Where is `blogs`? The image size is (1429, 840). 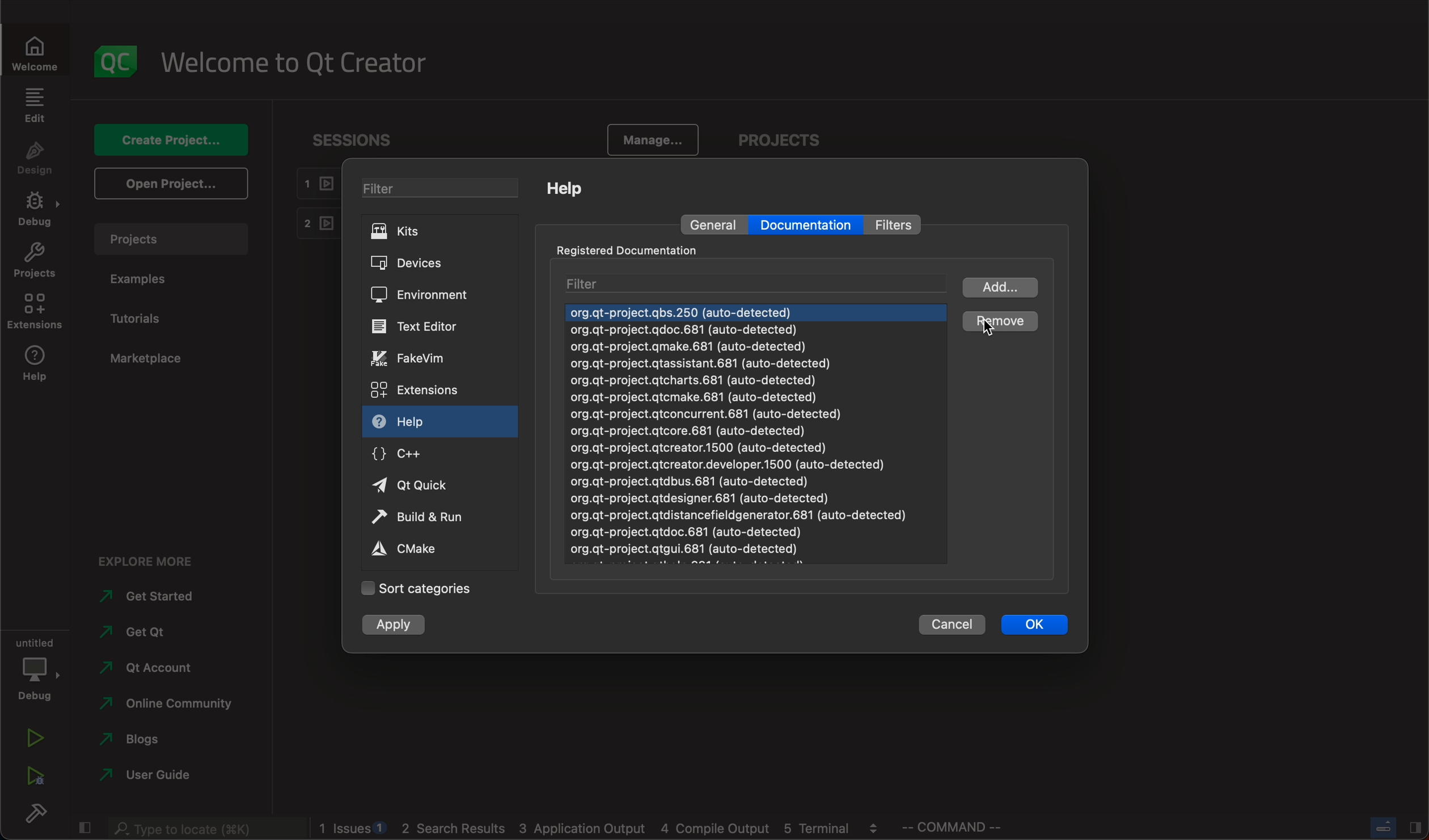
blogs is located at coordinates (599, 830).